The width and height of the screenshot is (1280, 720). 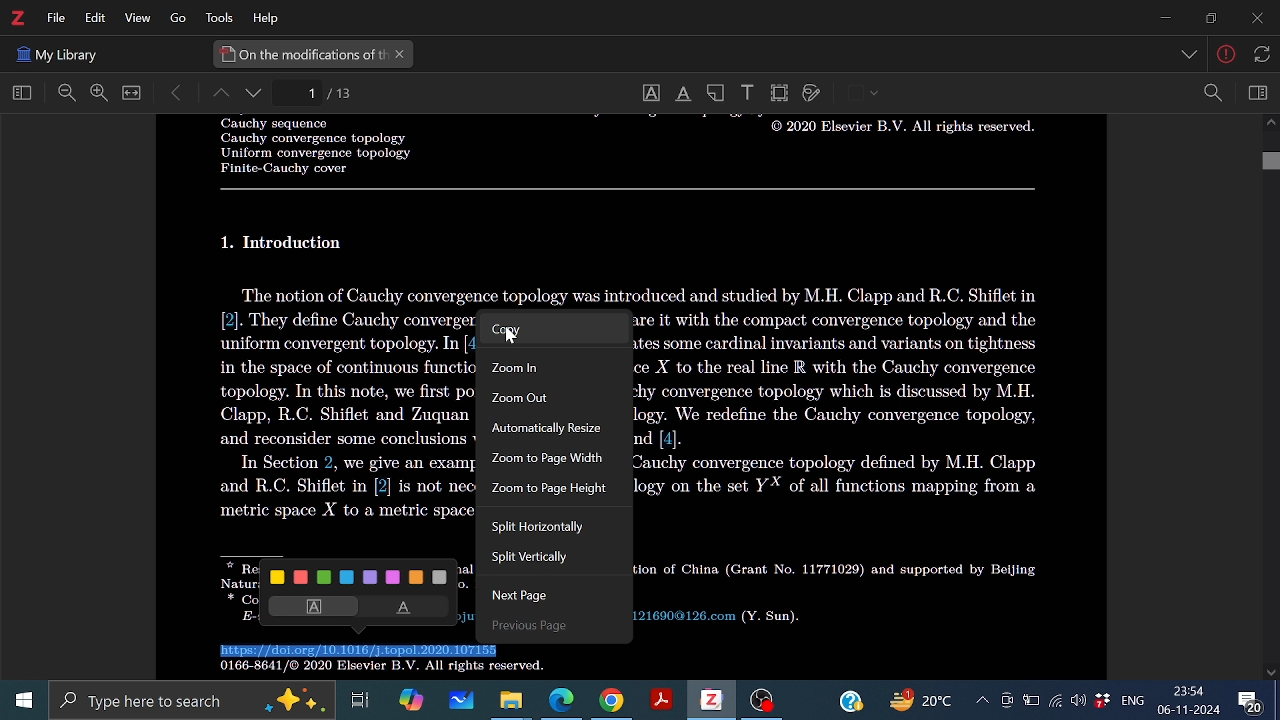 What do you see at coordinates (67, 94) in the screenshot?
I see `Zoom out` at bounding box center [67, 94].